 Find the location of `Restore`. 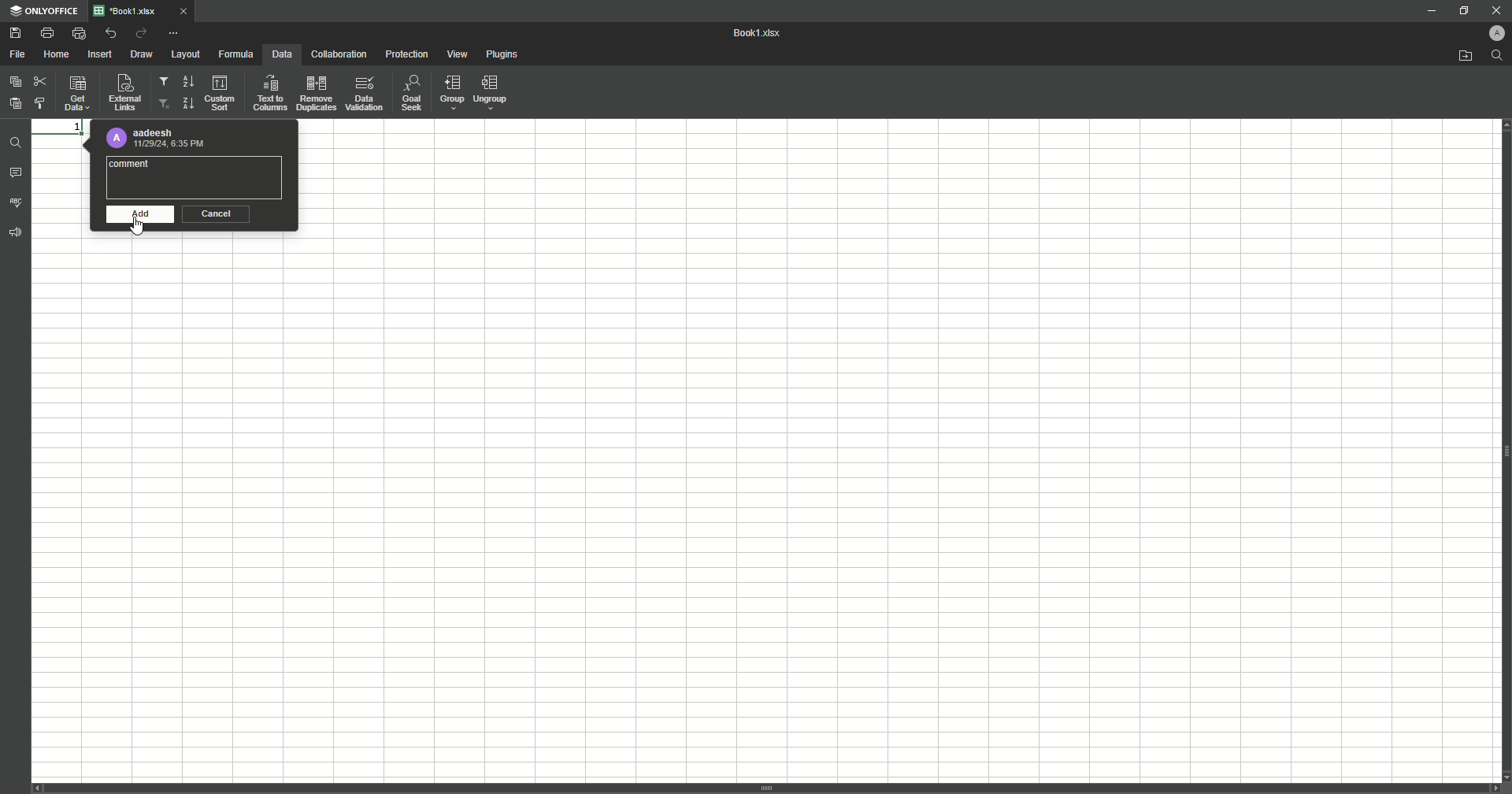

Restore is located at coordinates (1462, 10).